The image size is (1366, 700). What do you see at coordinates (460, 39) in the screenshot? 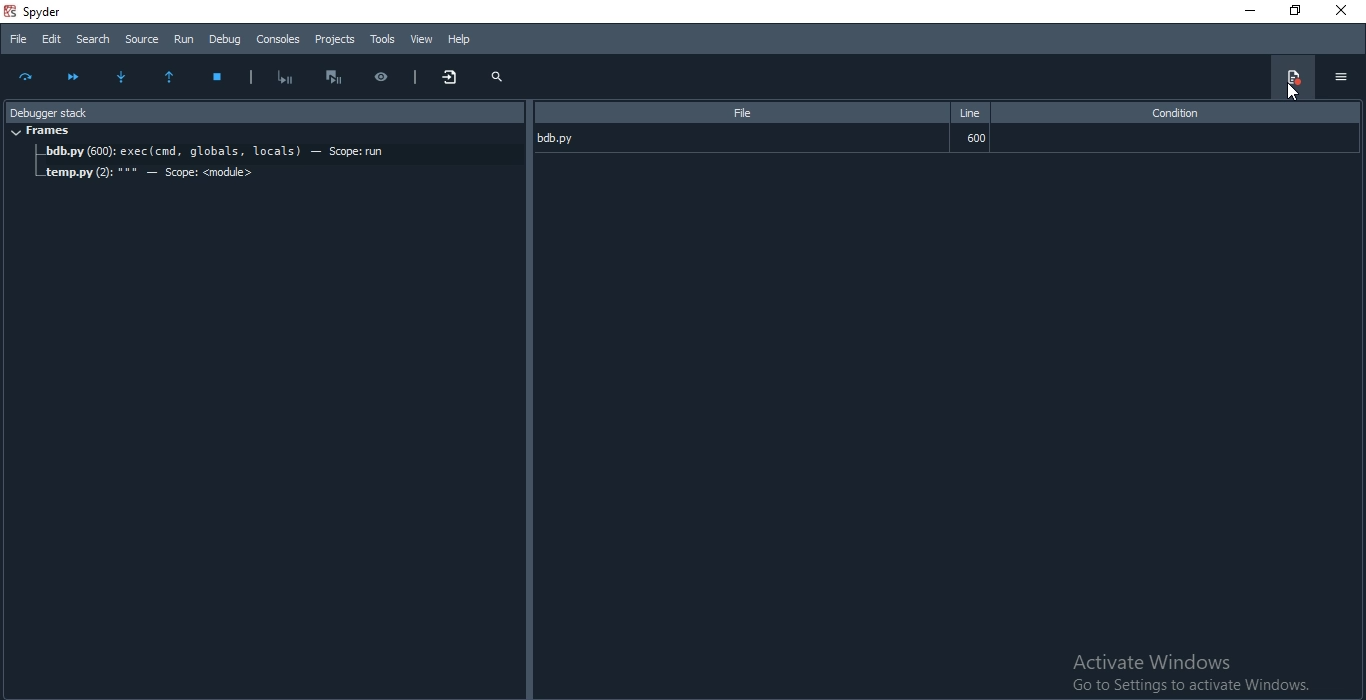
I see `Help` at bounding box center [460, 39].